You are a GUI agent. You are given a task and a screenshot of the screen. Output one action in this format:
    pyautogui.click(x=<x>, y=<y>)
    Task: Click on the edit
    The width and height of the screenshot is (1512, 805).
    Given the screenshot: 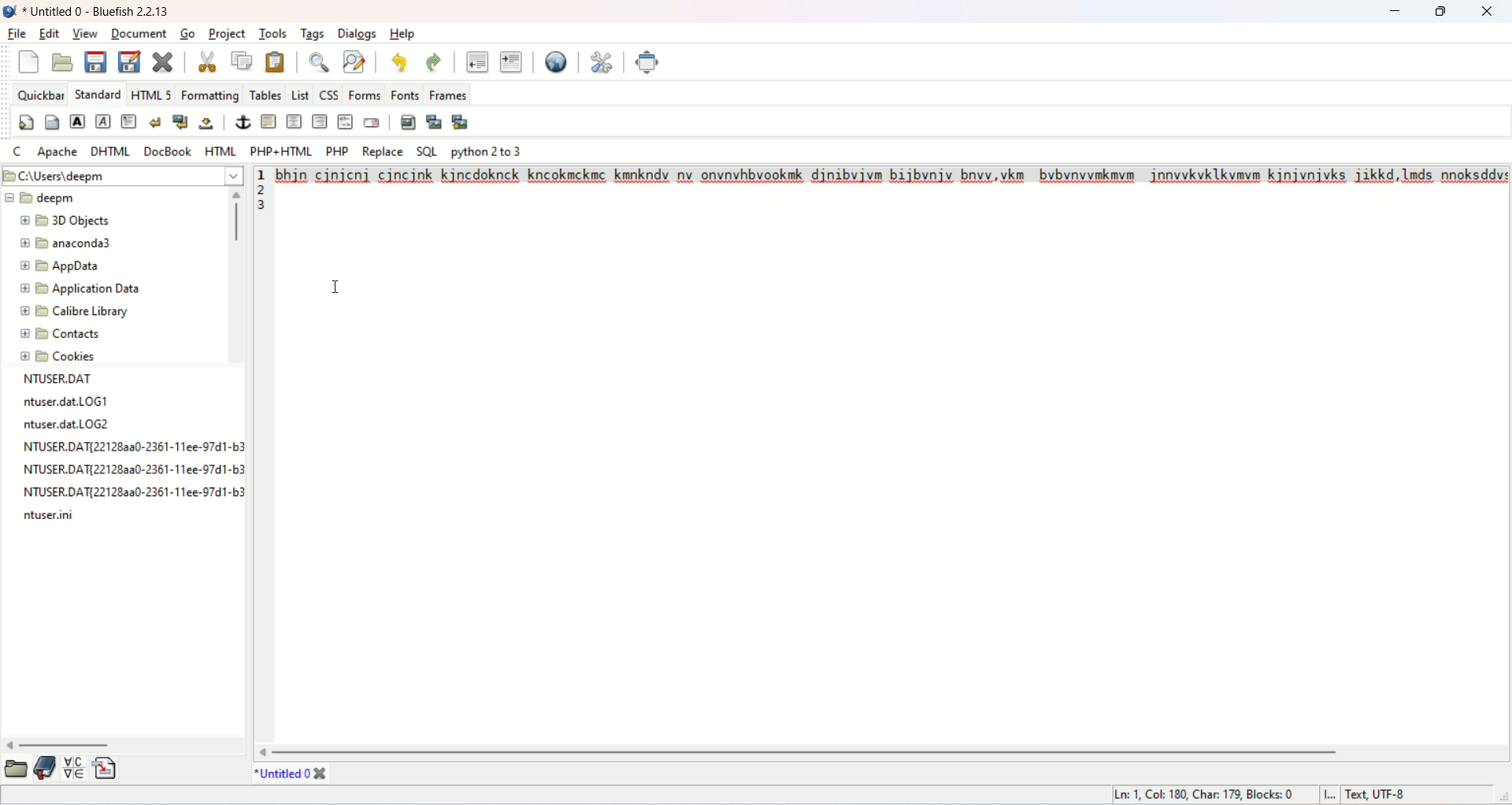 What is the action you would take?
    pyautogui.click(x=46, y=33)
    